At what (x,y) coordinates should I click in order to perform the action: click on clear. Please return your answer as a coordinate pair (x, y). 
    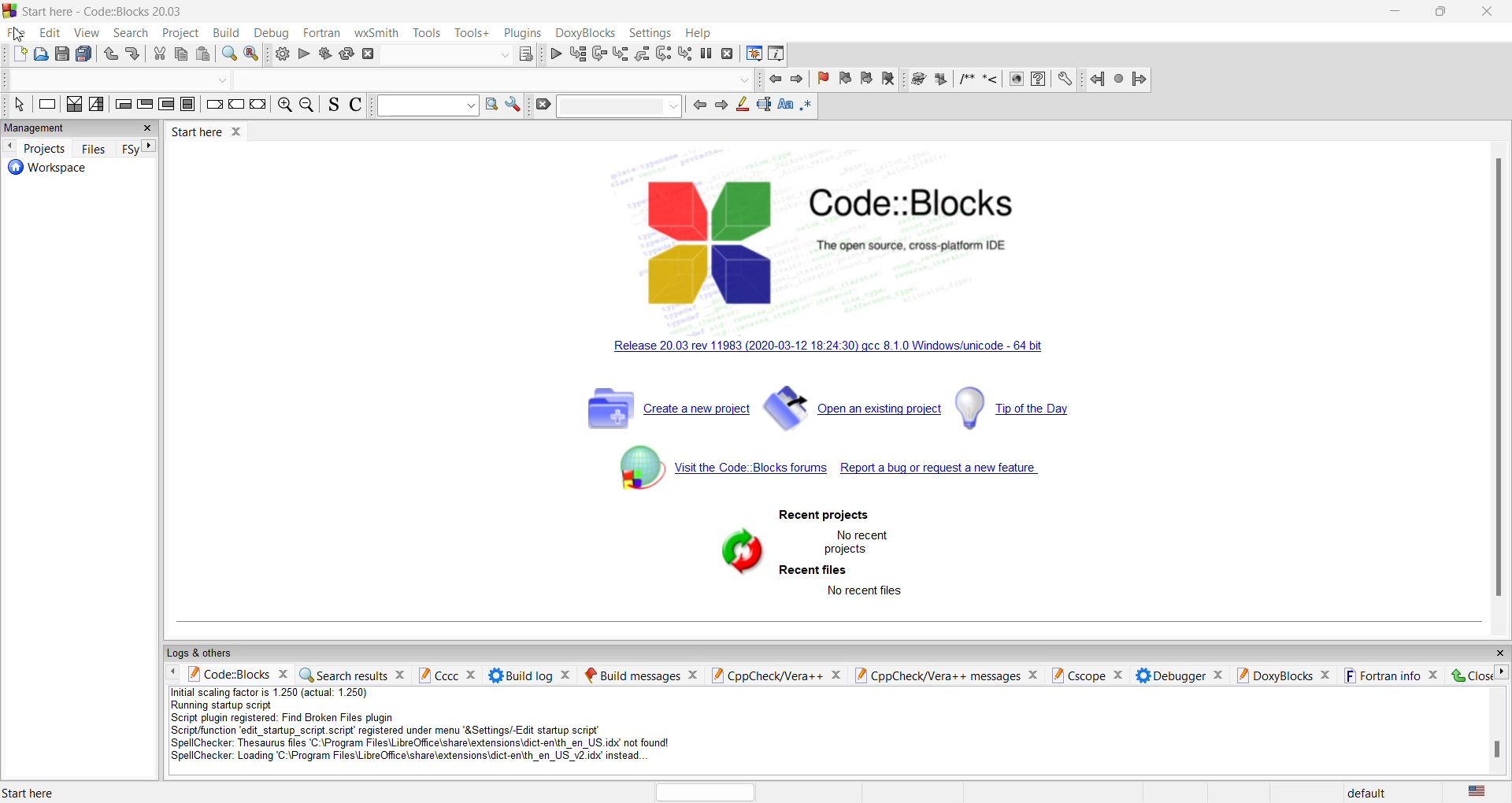
    Looking at the image, I should click on (544, 107).